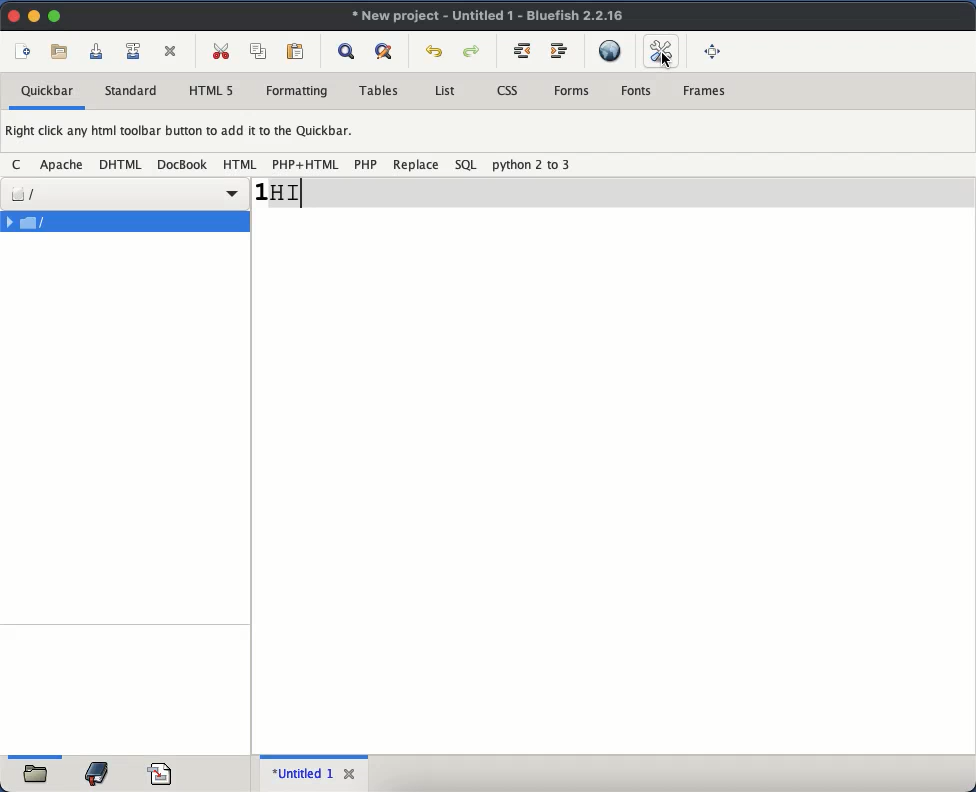  What do you see at coordinates (367, 165) in the screenshot?
I see `php` at bounding box center [367, 165].